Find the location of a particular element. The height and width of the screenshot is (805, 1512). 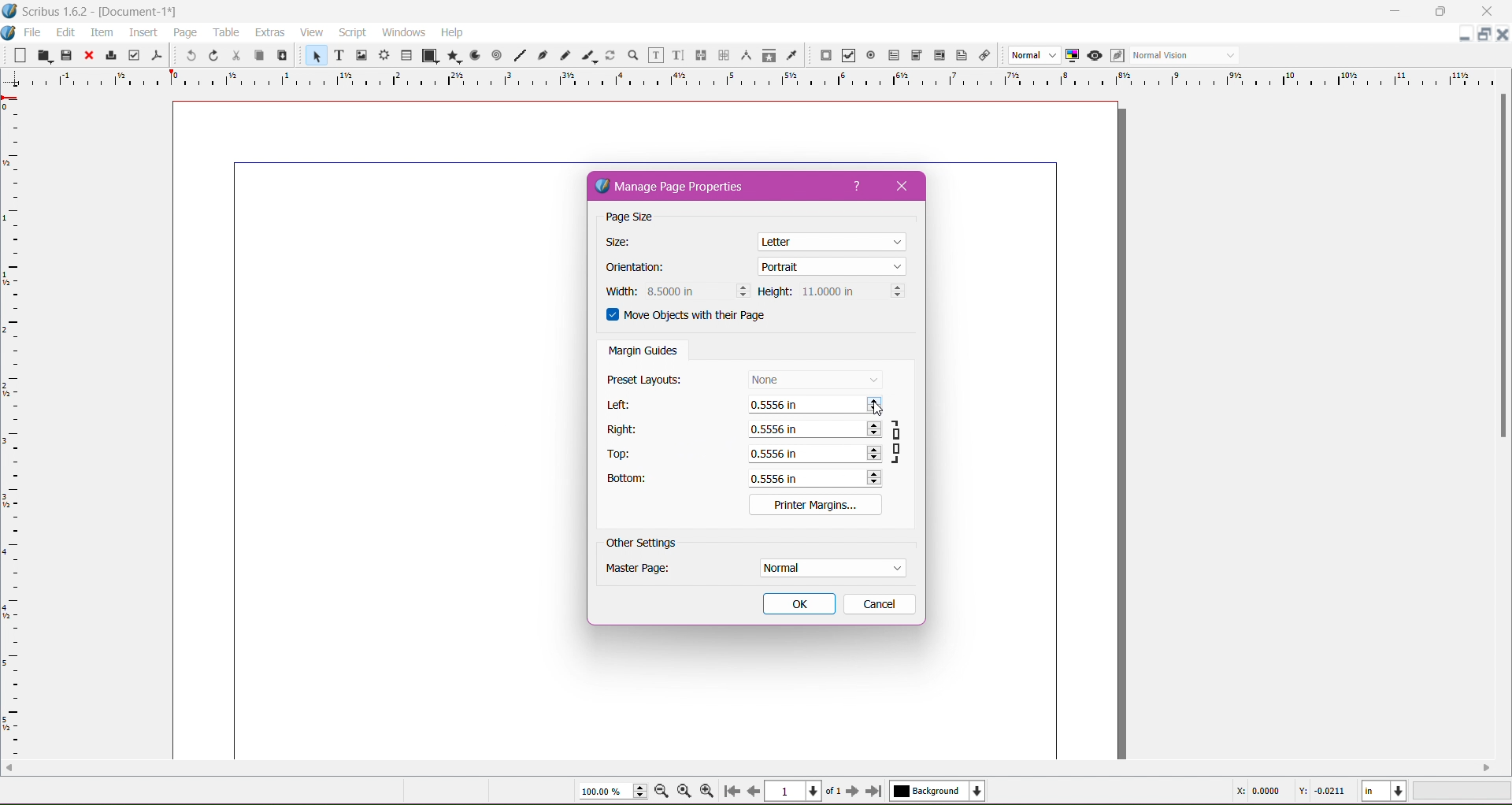

PDF Check Box is located at coordinates (849, 56).